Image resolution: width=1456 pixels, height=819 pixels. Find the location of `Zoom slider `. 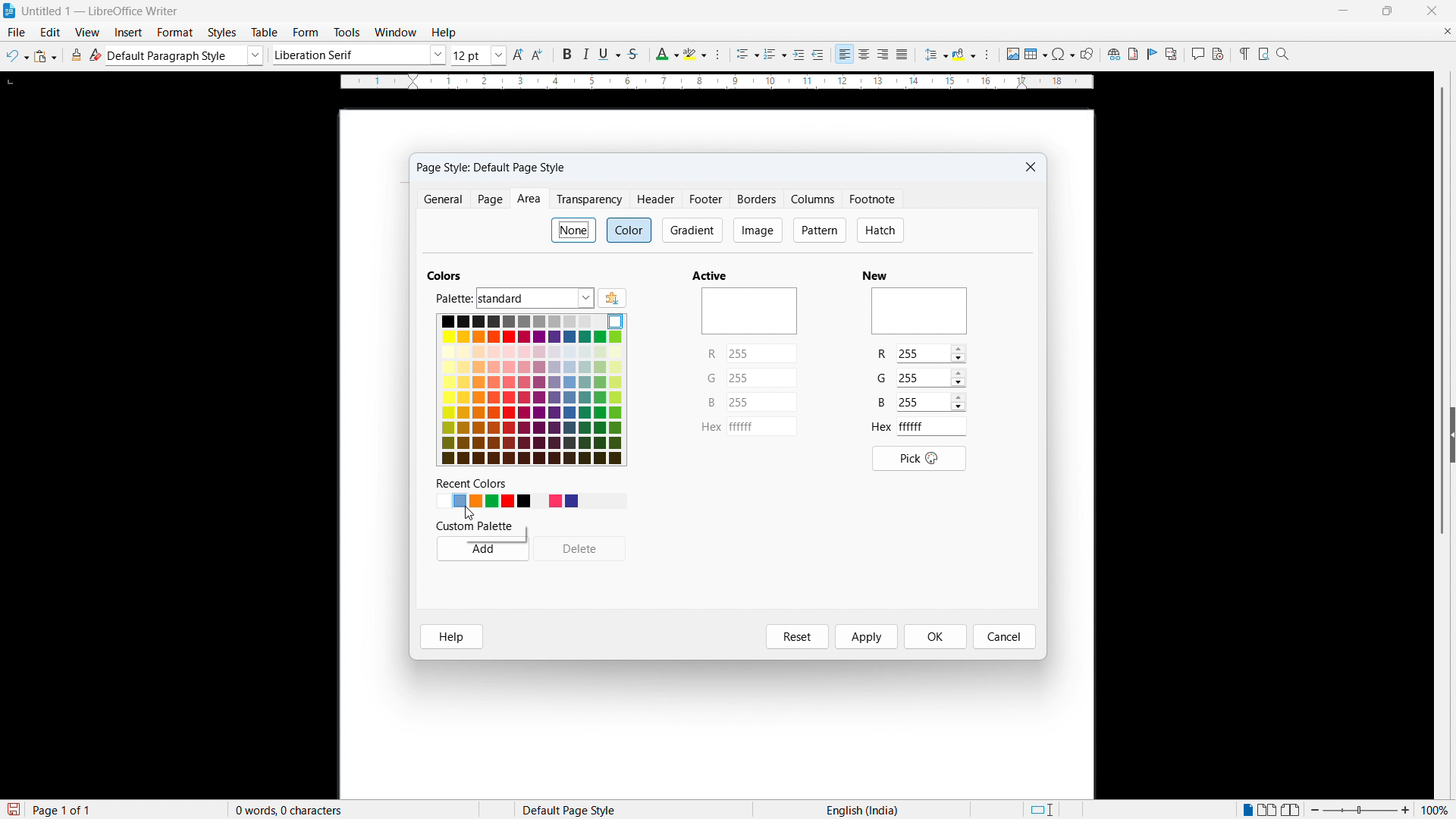

Zoom slider  is located at coordinates (1360, 809).